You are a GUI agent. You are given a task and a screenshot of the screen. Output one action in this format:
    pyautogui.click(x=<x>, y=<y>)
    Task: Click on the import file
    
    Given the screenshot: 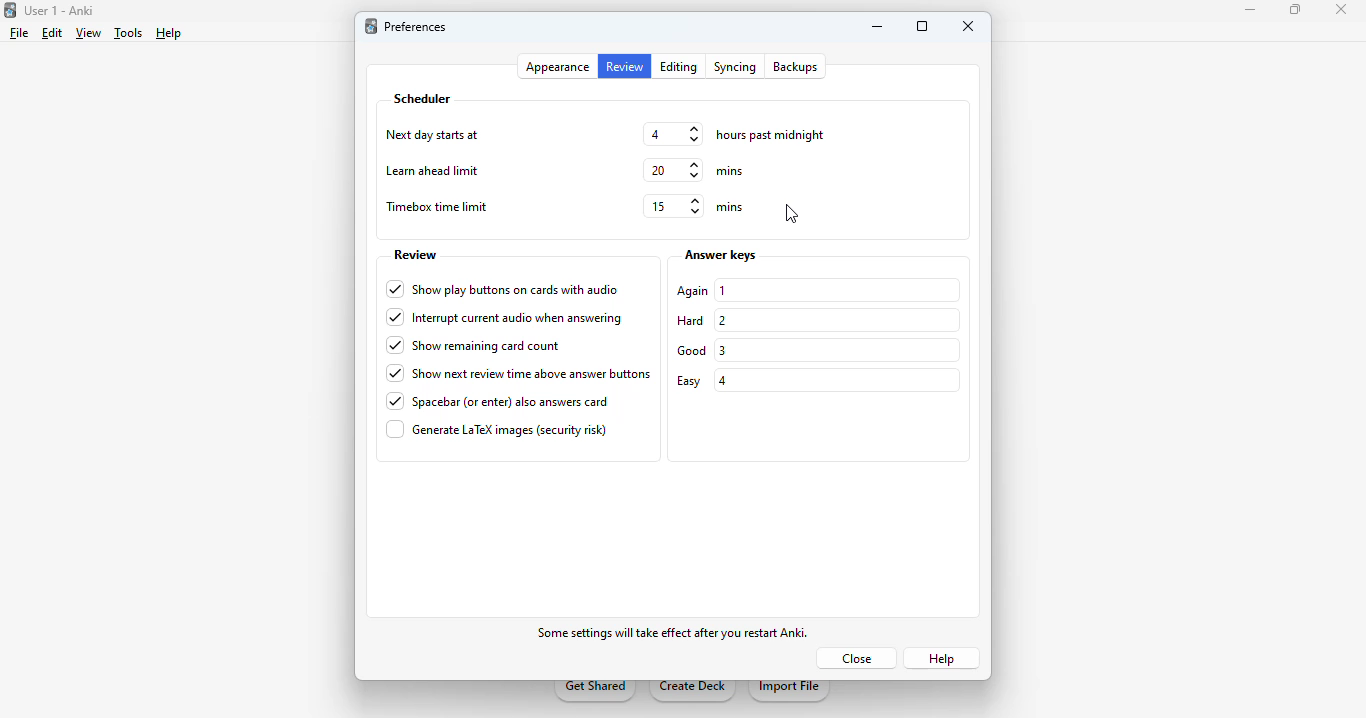 What is the action you would take?
    pyautogui.click(x=788, y=691)
    